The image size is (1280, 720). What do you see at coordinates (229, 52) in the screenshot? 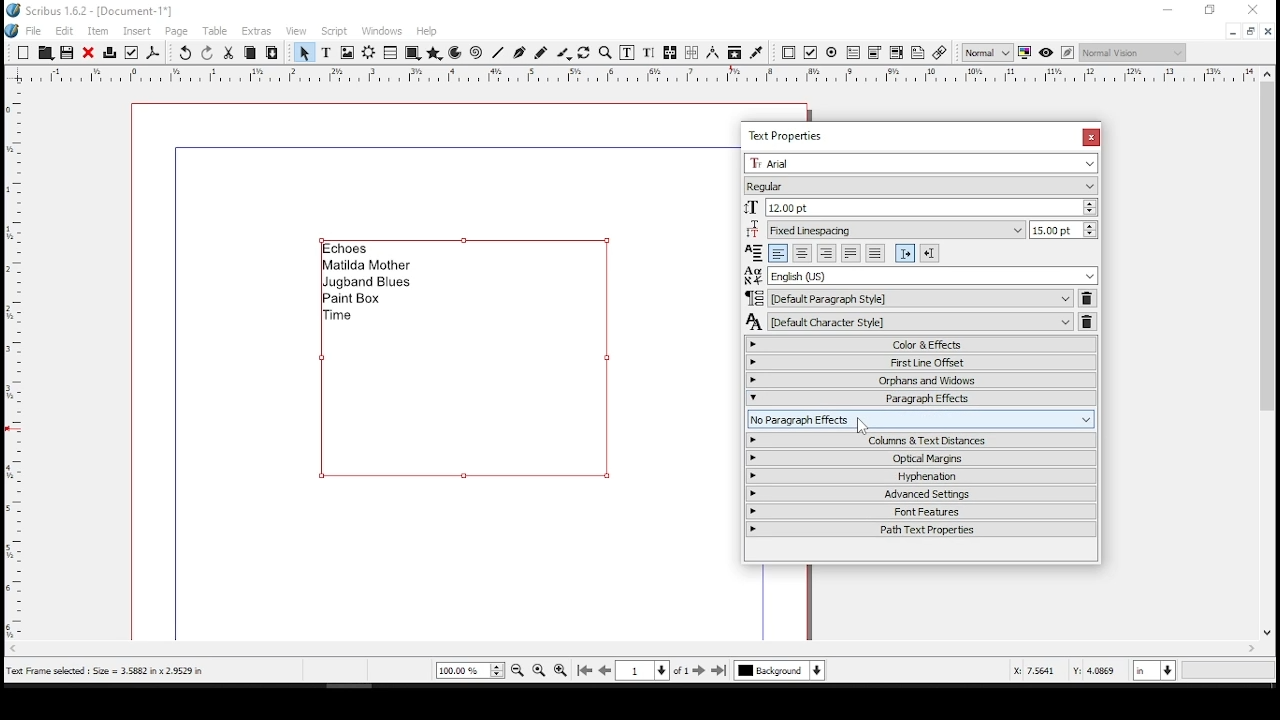
I see `cut` at bounding box center [229, 52].